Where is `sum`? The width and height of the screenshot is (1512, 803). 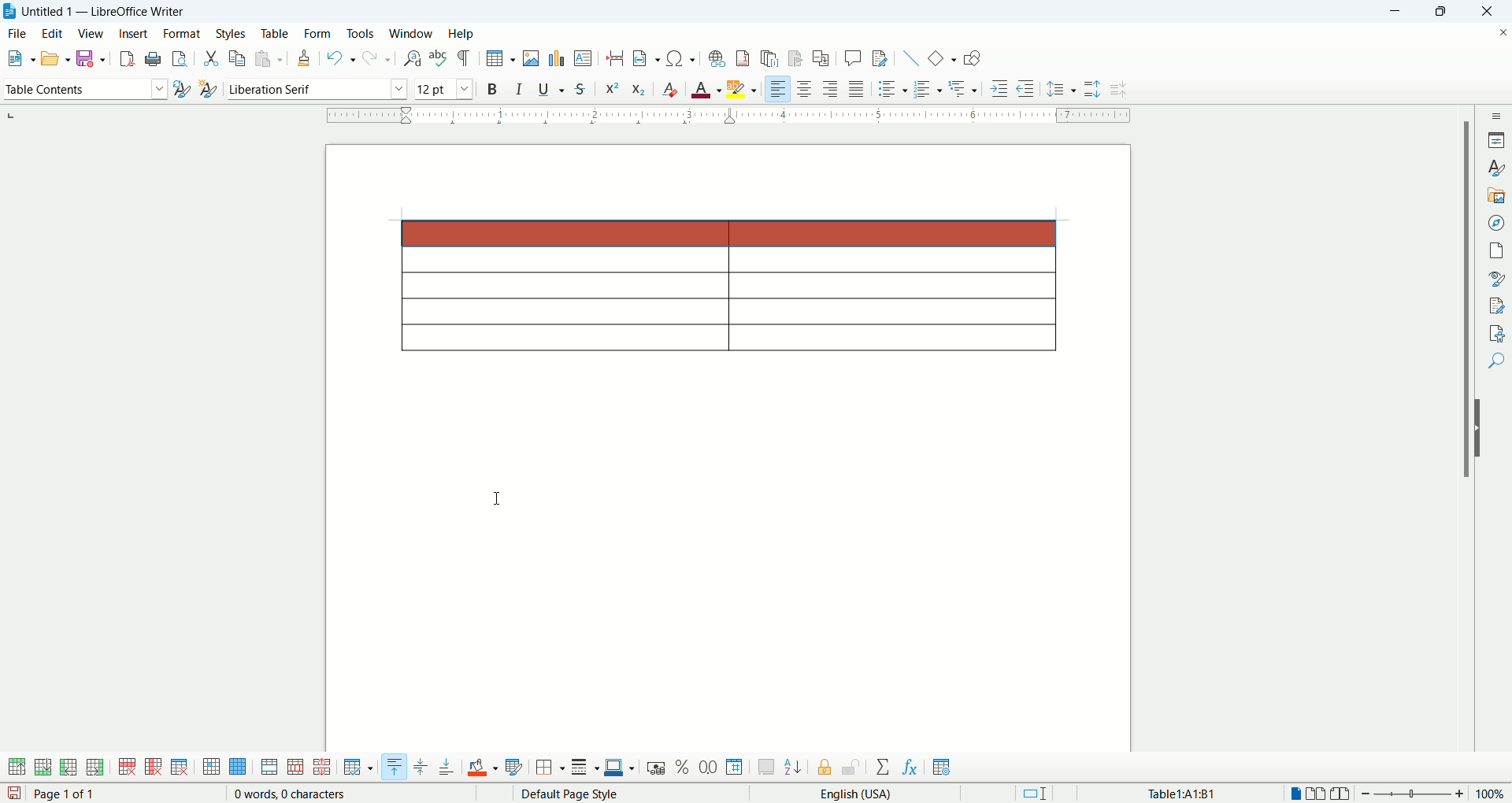 sum is located at coordinates (885, 768).